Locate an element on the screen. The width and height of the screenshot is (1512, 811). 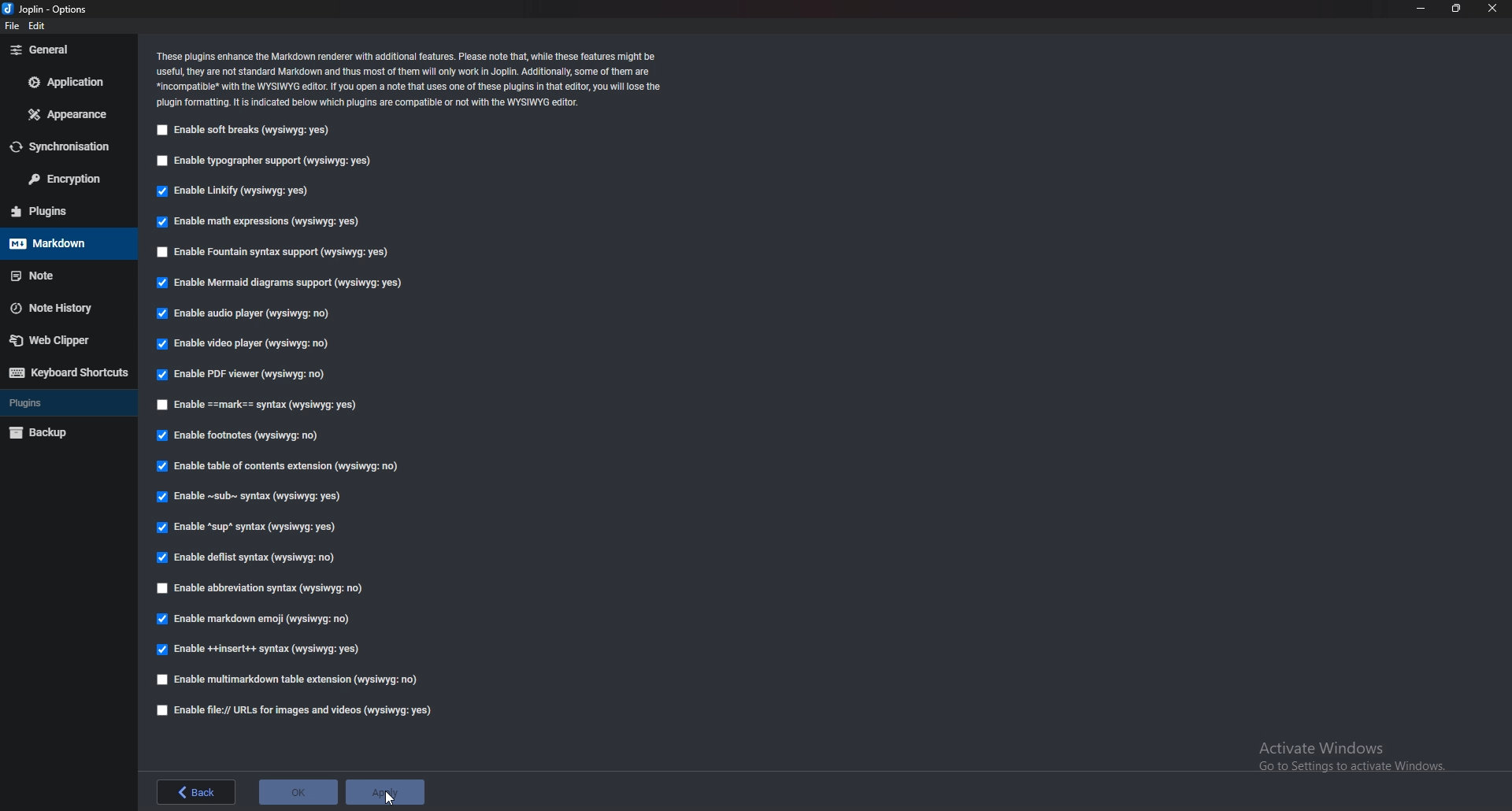
Webclipper is located at coordinates (62, 339).